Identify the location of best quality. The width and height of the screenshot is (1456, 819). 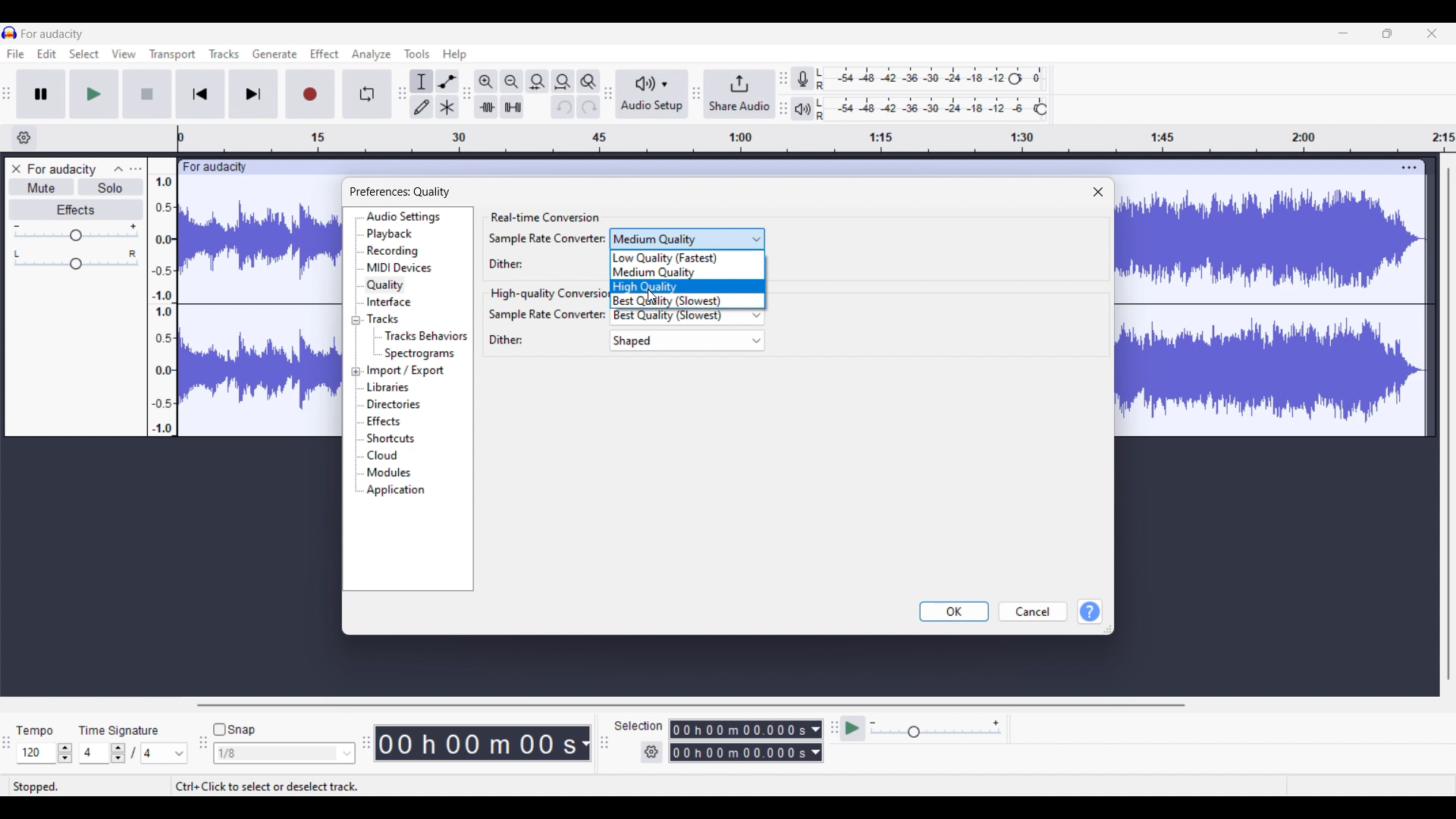
(689, 301).